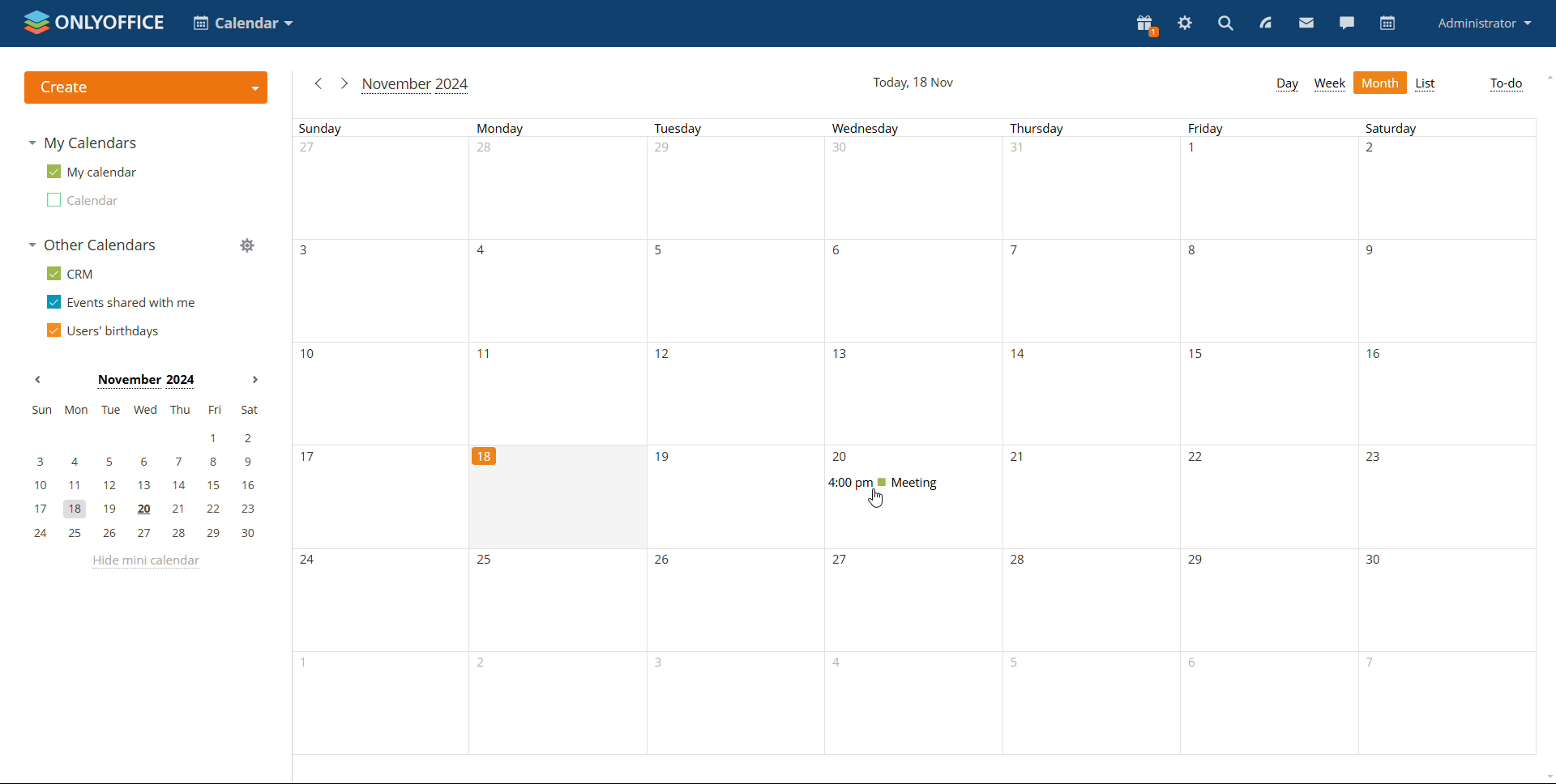 The height and width of the screenshot is (784, 1556). What do you see at coordinates (145, 472) in the screenshot?
I see `mini calendar` at bounding box center [145, 472].